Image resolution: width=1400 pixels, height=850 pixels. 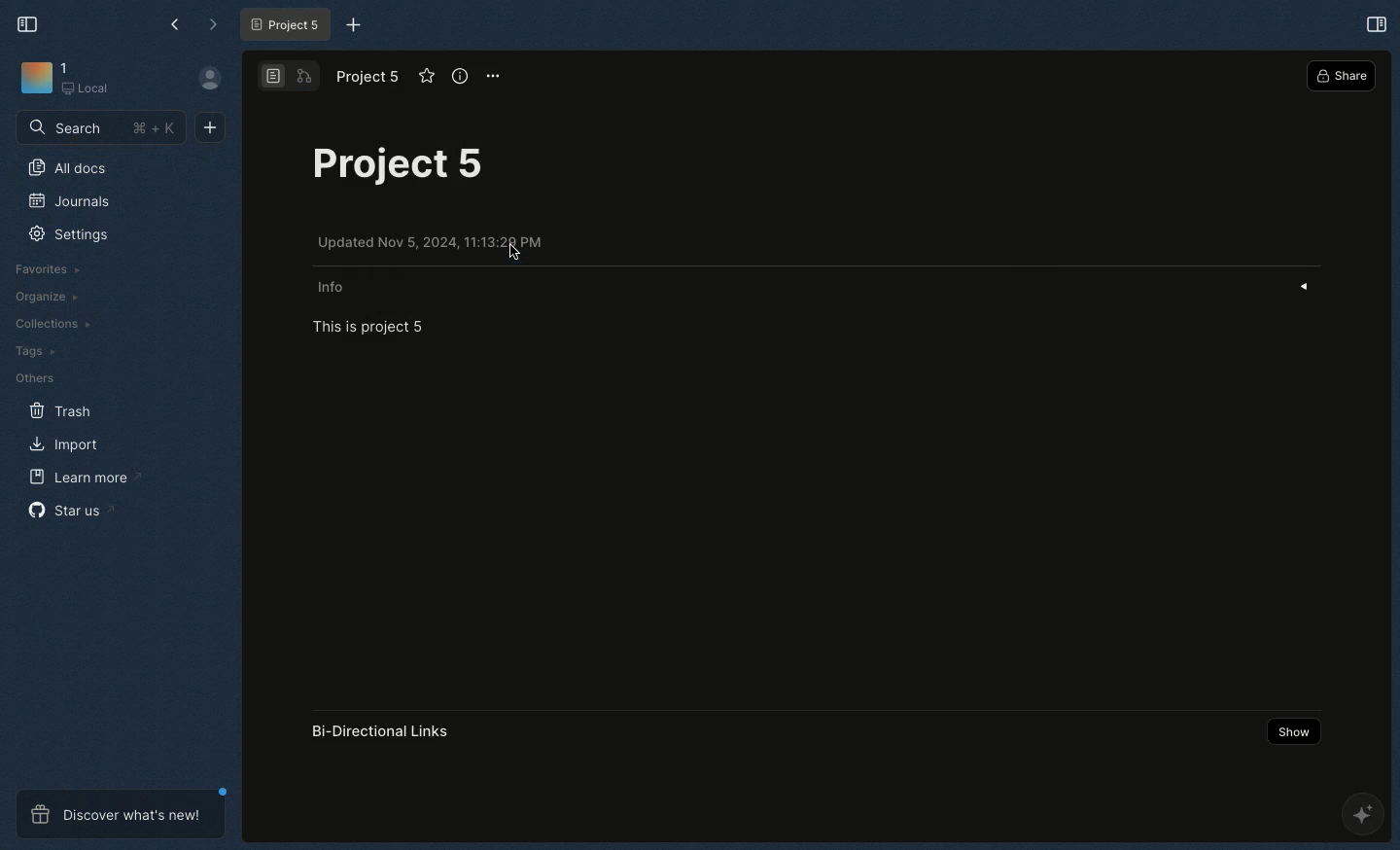 What do you see at coordinates (407, 160) in the screenshot?
I see `Project 5 ` at bounding box center [407, 160].